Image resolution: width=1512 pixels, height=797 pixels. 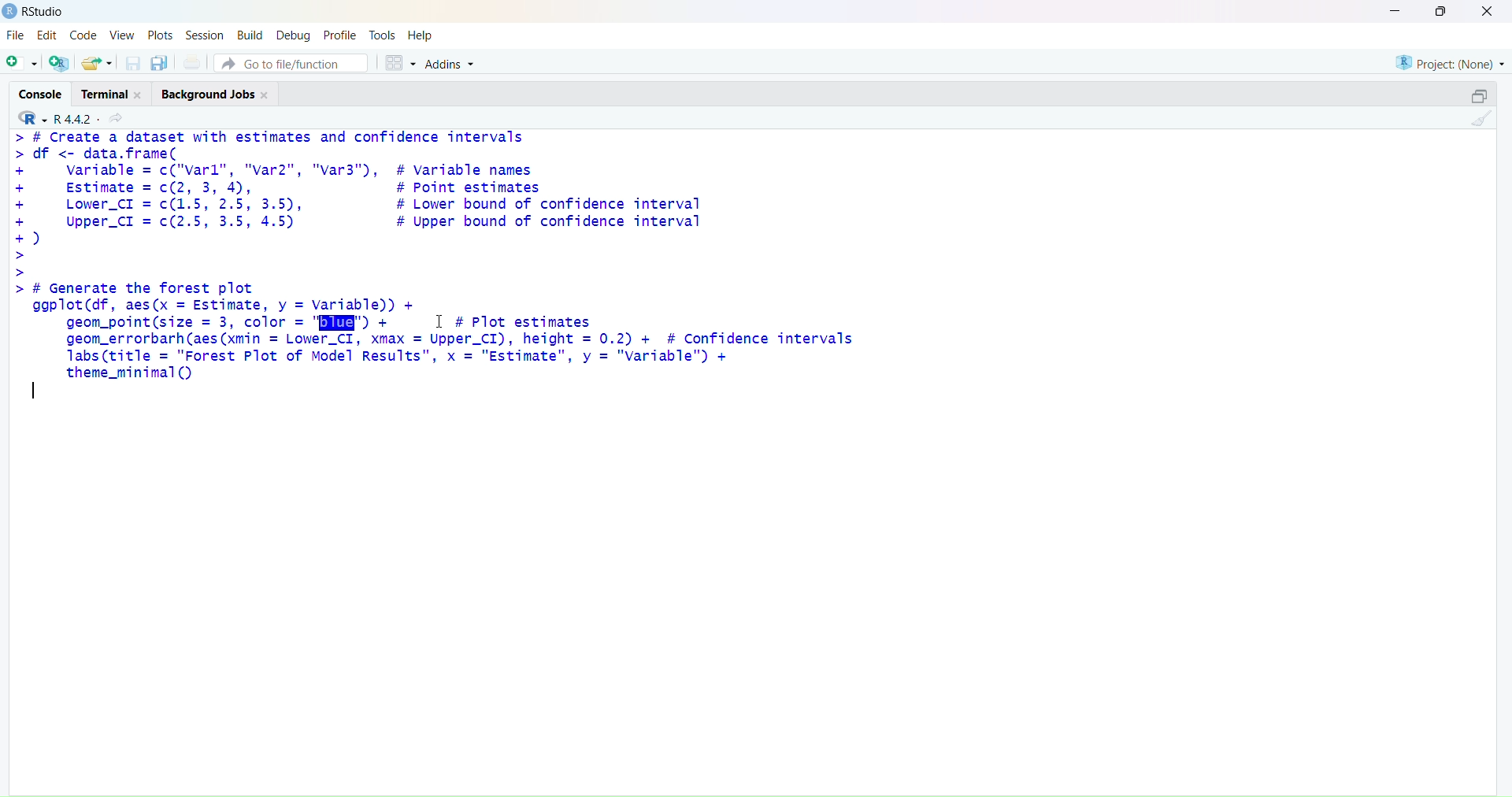 What do you see at coordinates (1481, 118) in the screenshot?
I see `clear console` at bounding box center [1481, 118].